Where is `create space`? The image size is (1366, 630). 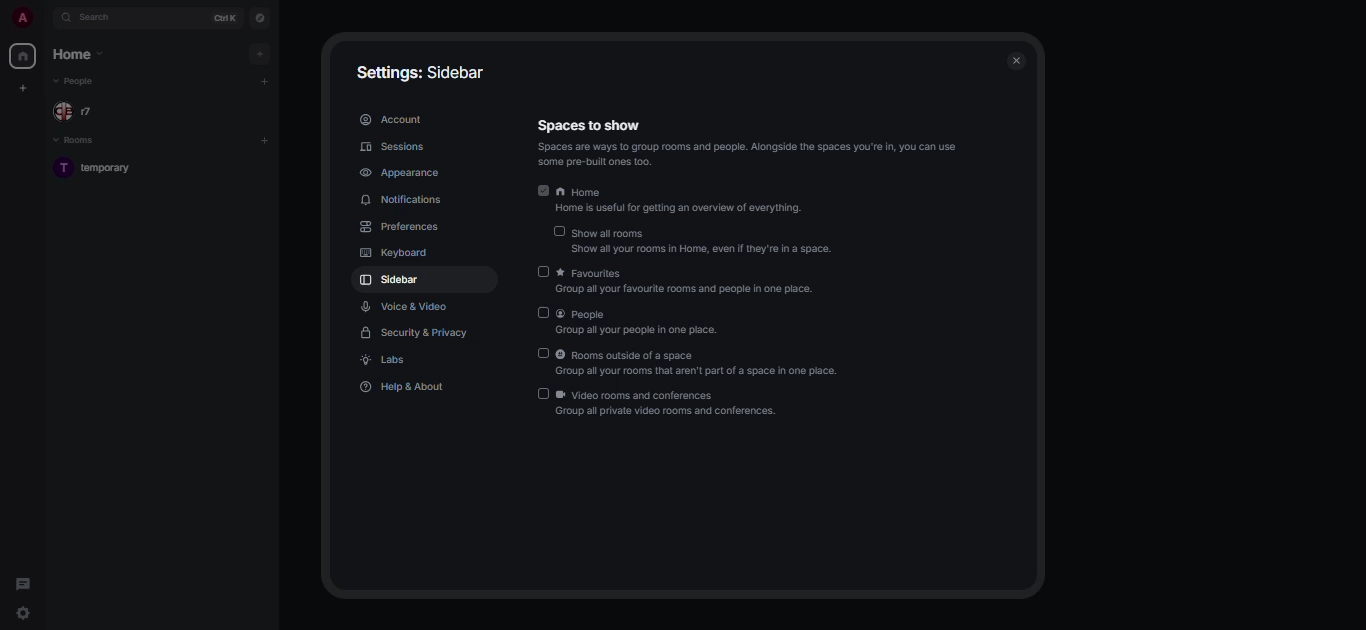 create space is located at coordinates (25, 91).